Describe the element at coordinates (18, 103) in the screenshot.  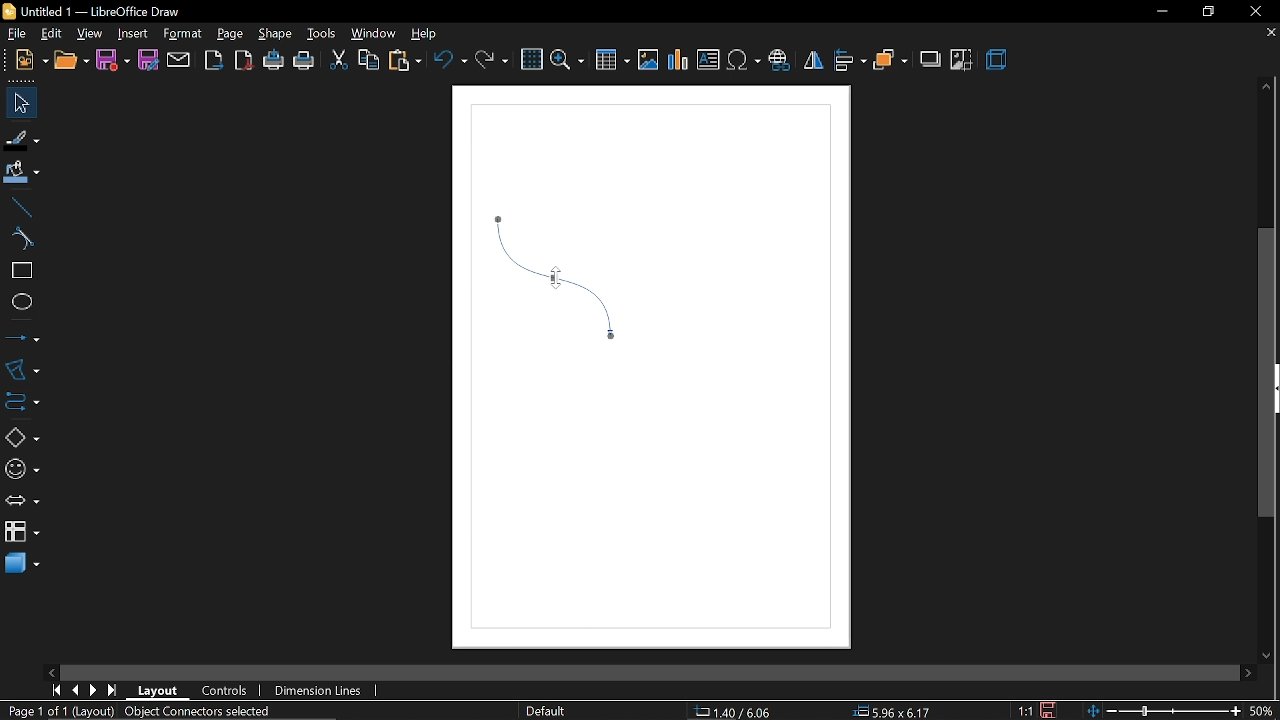
I see `select` at that location.